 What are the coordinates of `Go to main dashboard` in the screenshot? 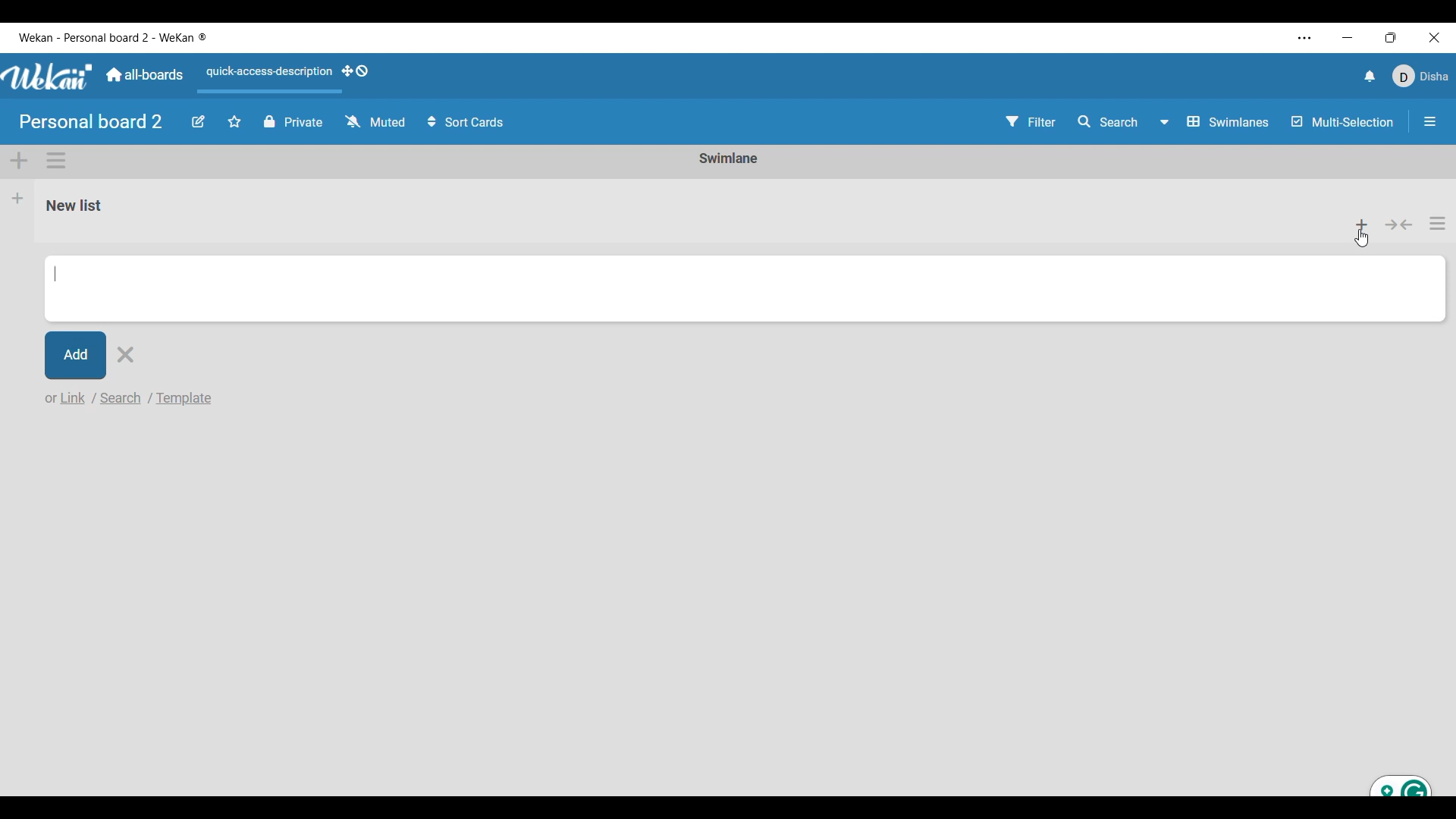 It's located at (144, 75).